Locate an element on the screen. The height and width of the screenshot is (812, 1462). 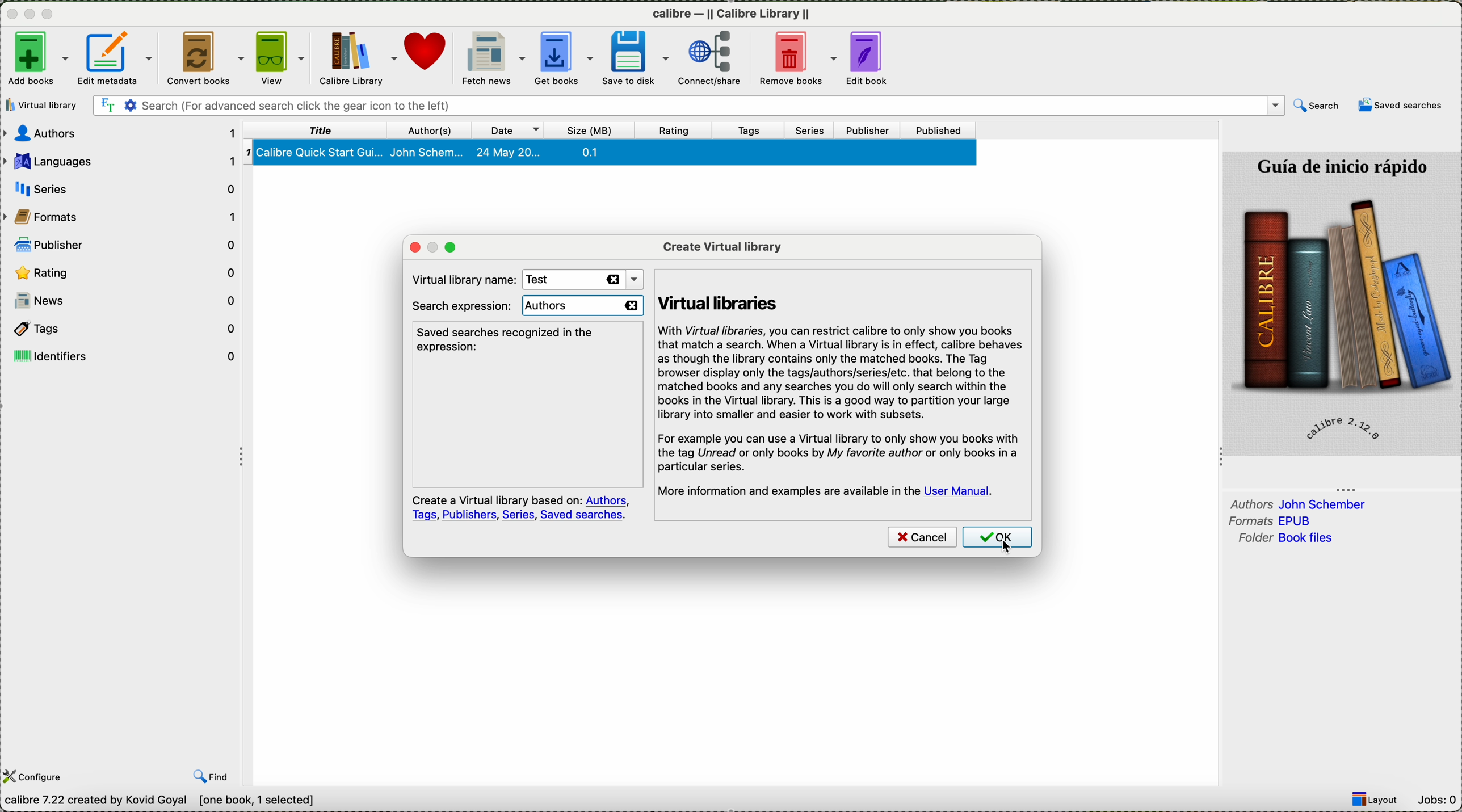
size is located at coordinates (594, 131).